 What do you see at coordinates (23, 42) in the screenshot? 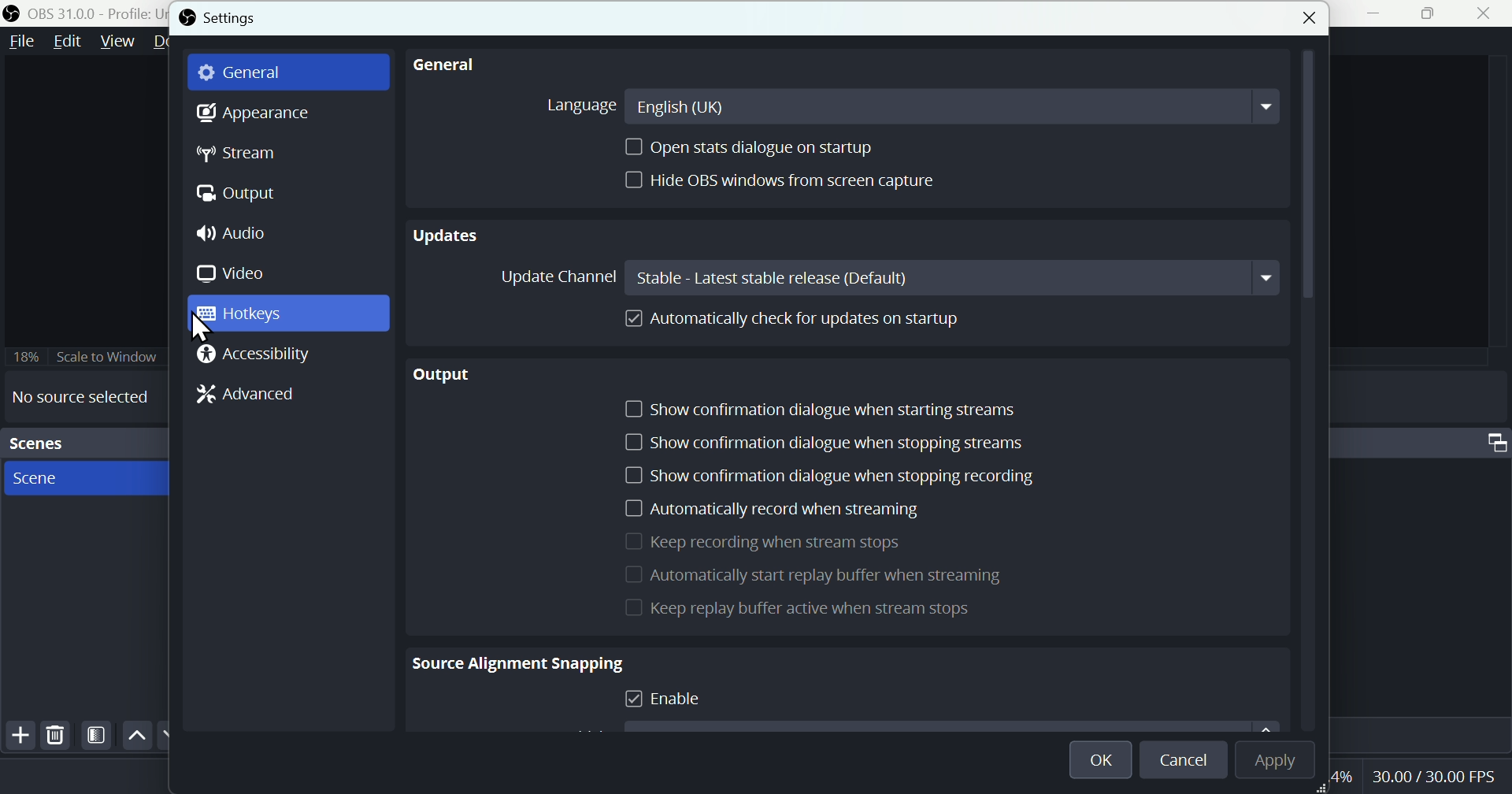
I see `file` at bounding box center [23, 42].